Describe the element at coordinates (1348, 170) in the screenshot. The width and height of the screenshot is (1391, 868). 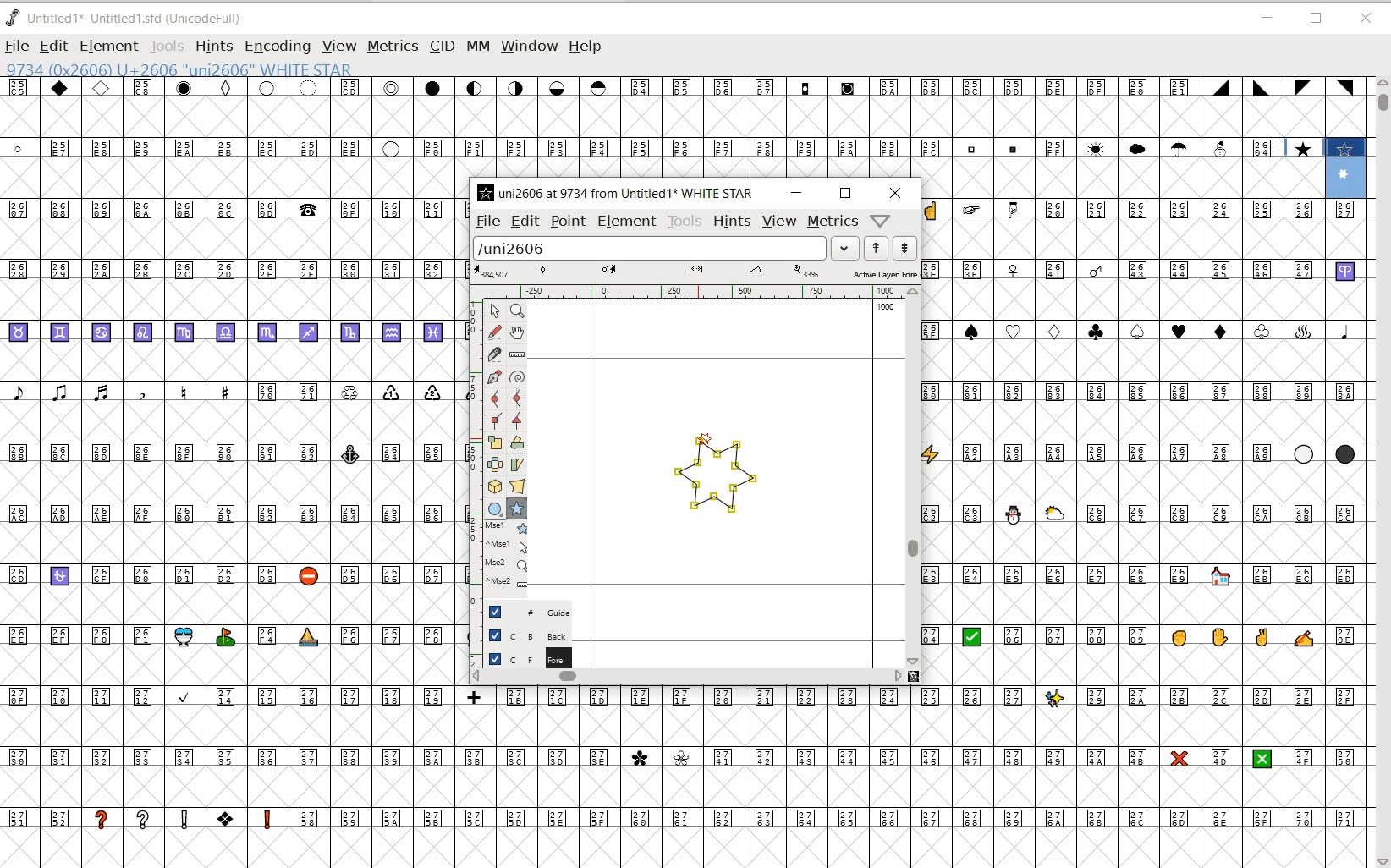
I see `glyph slot` at that location.